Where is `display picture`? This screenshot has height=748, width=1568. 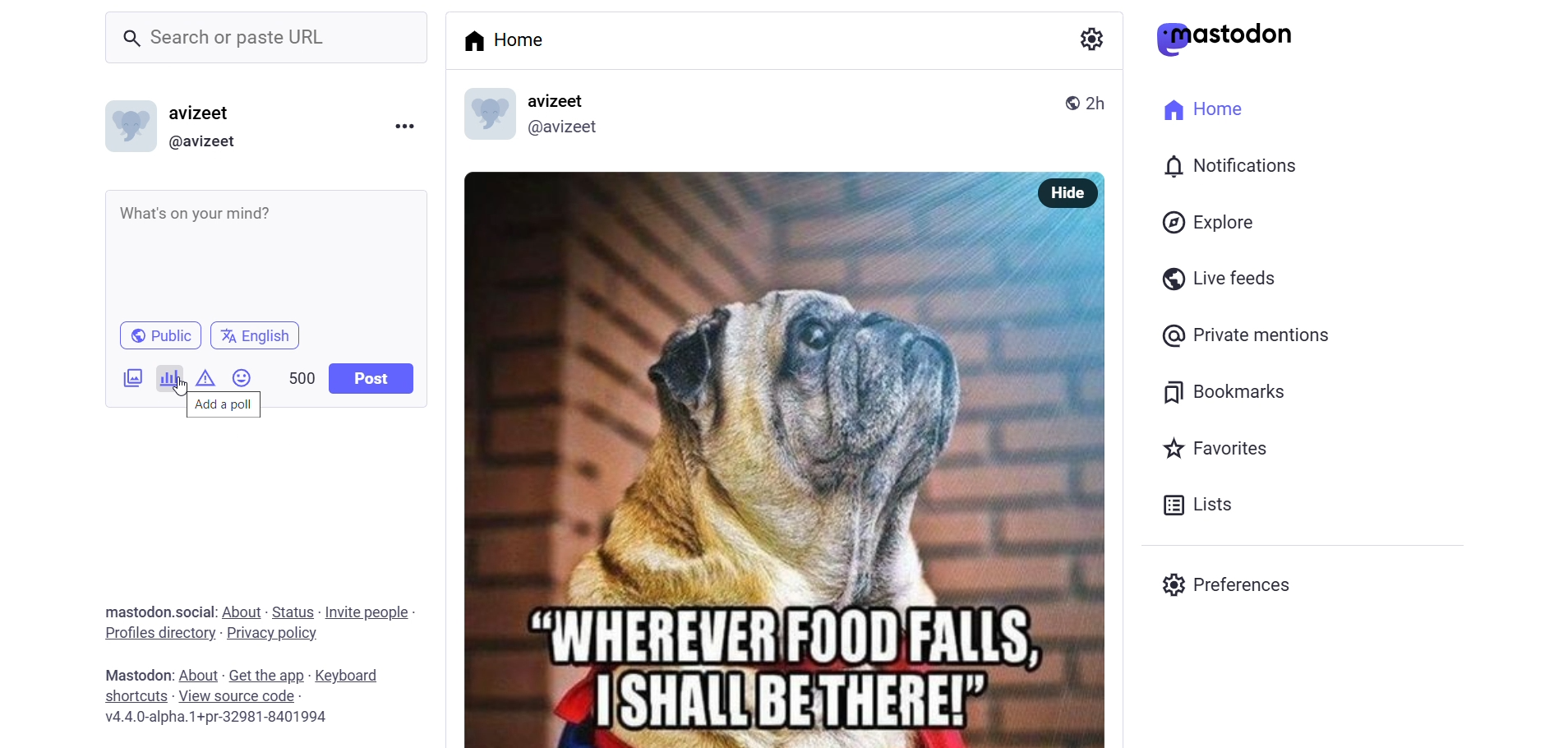 display picture is located at coordinates (481, 116).